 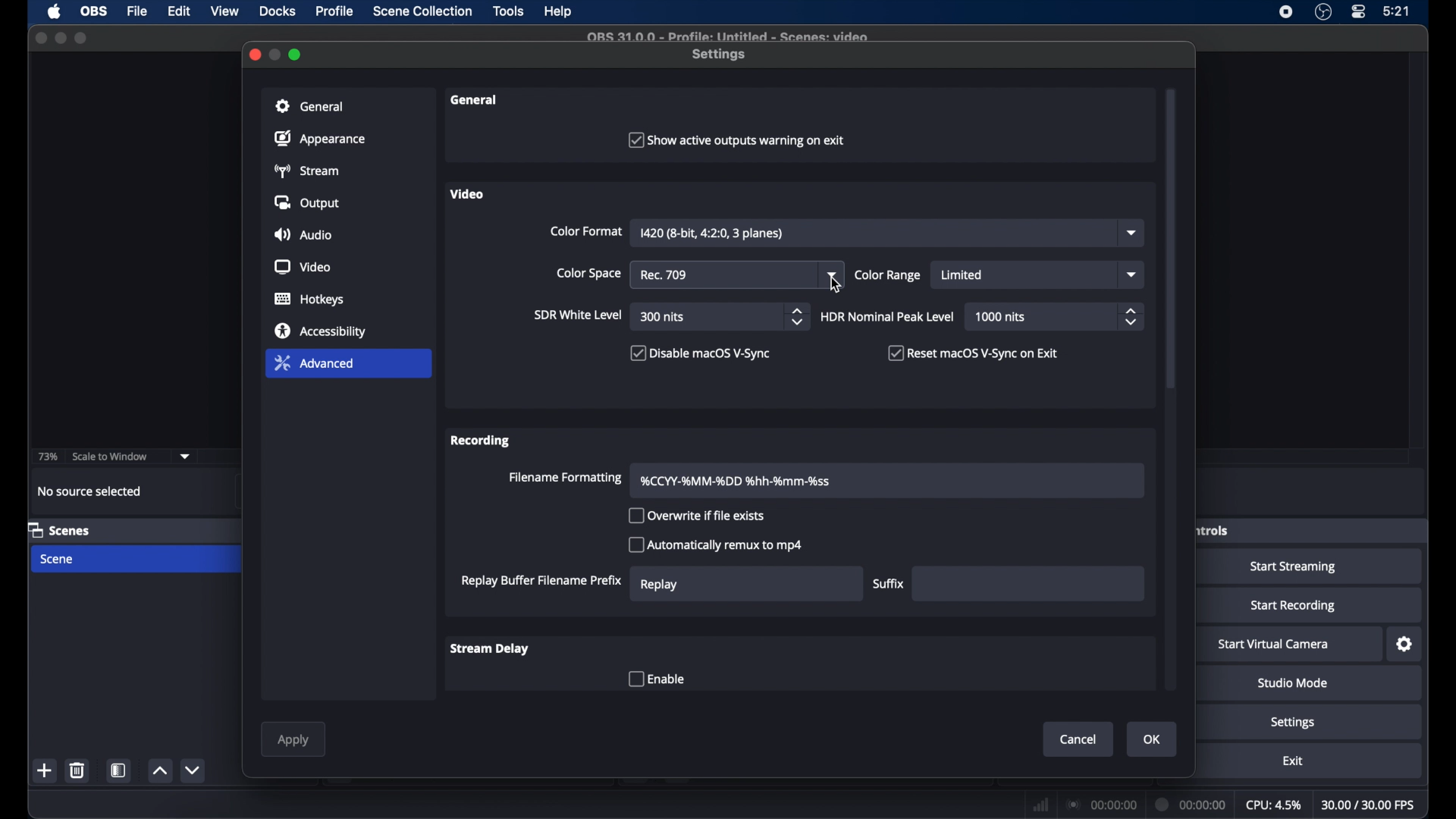 I want to click on view, so click(x=224, y=11).